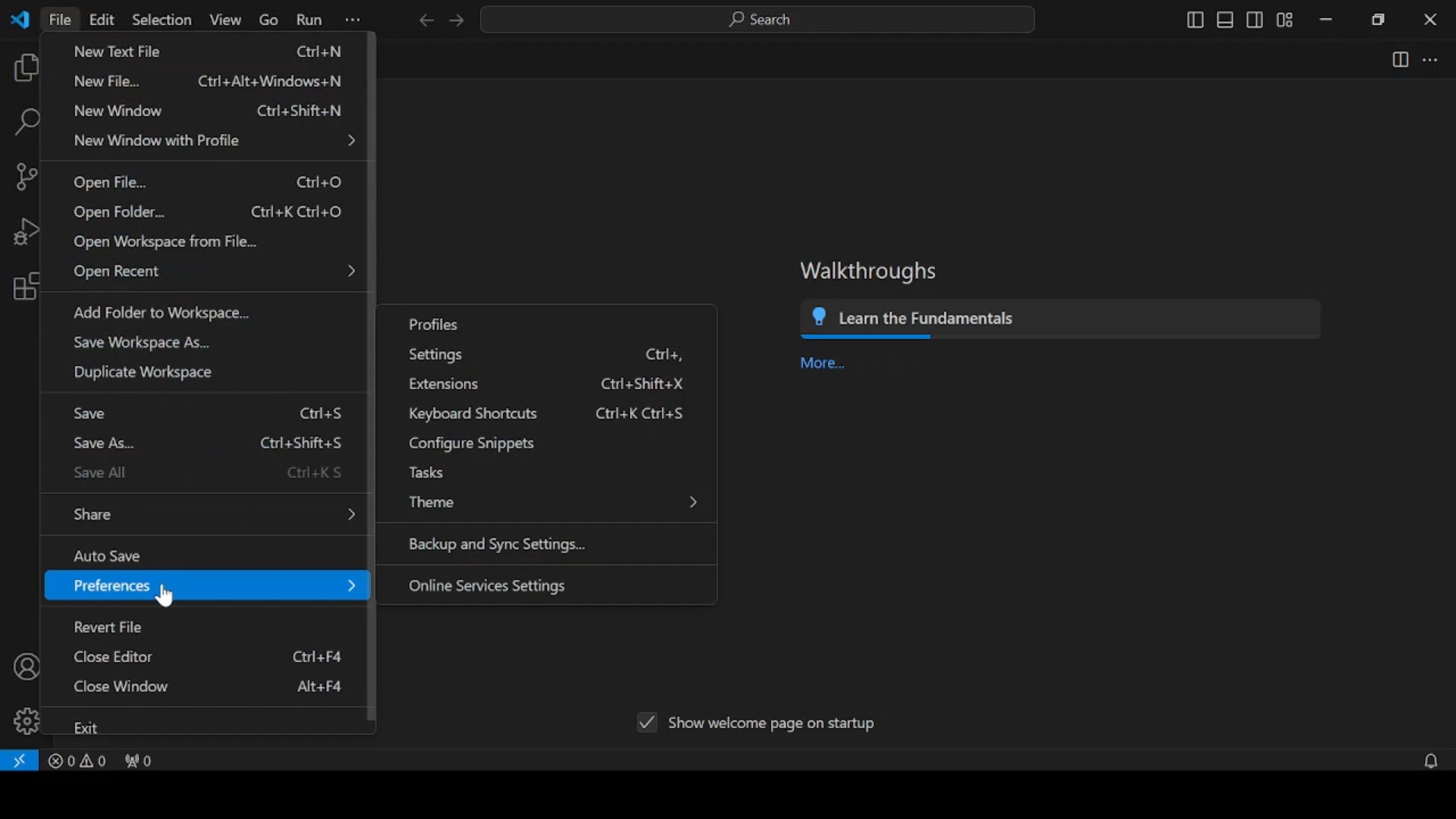 Image resolution: width=1456 pixels, height=819 pixels. Describe the element at coordinates (1058, 320) in the screenshot. I see `learn the fundamentals` at that location.